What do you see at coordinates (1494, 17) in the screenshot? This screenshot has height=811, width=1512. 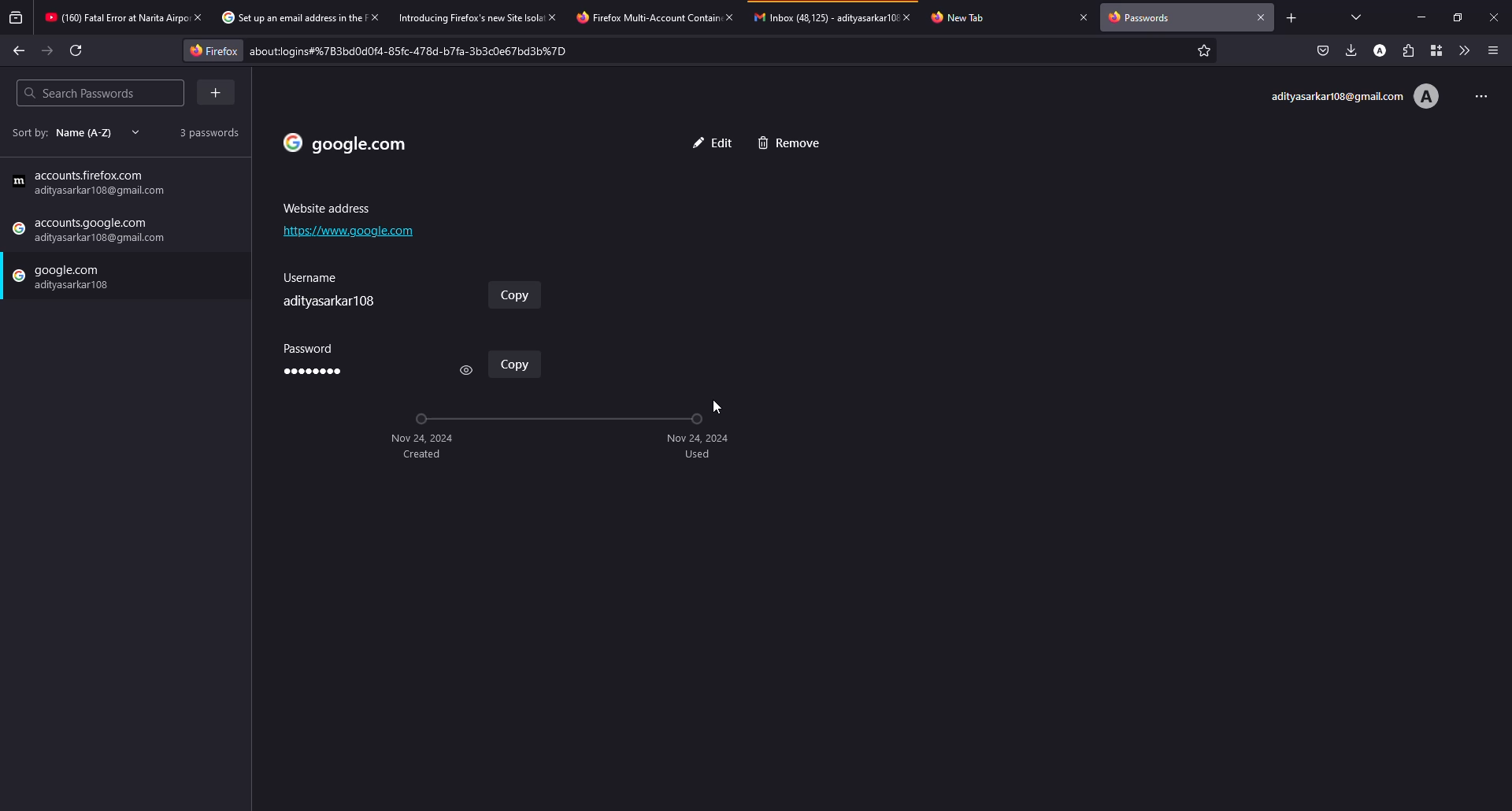 I see `close` at bounding box center [1494, 17].